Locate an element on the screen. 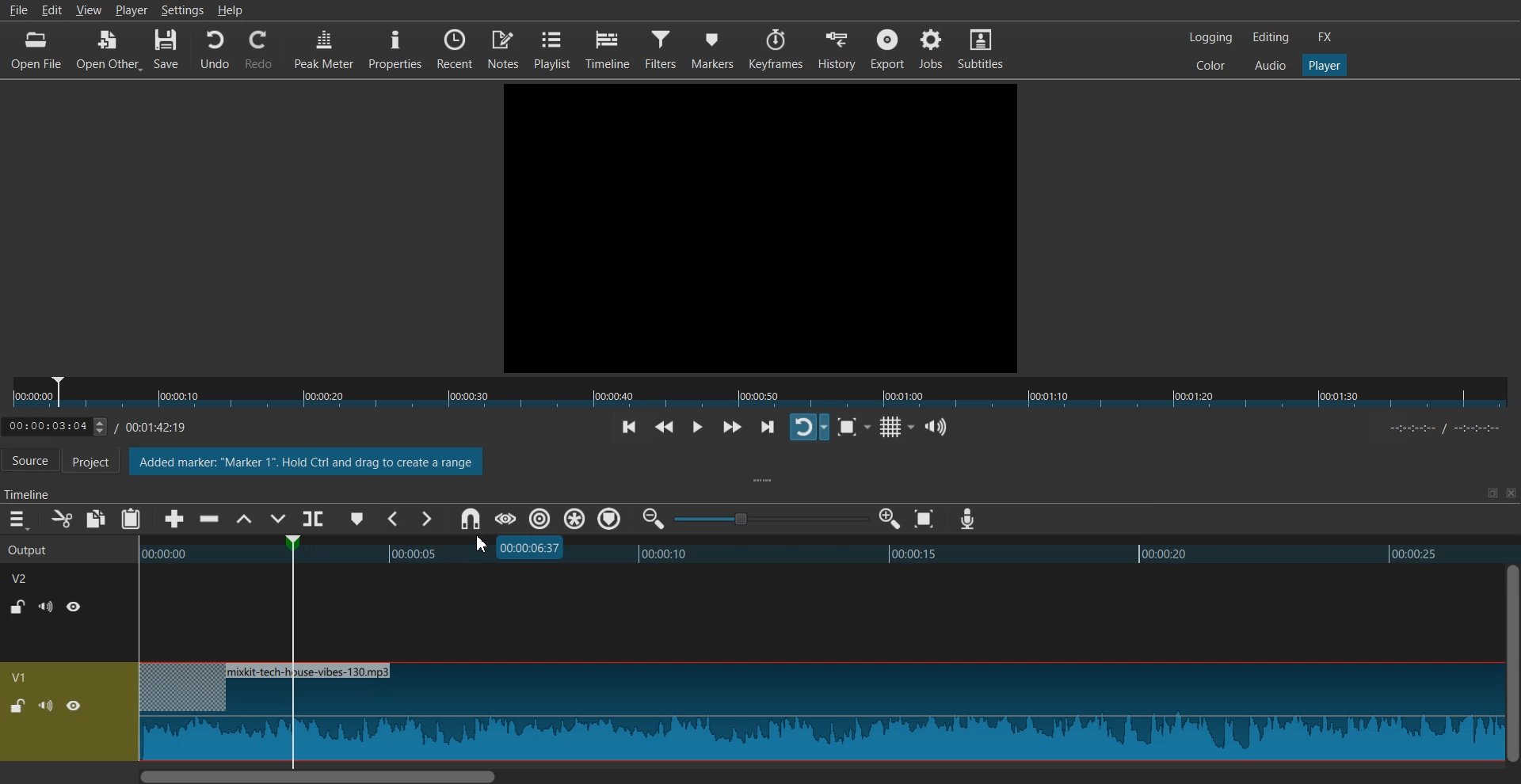 The width and height of the screenshot is (1521, 784). Timeline preview is located at coordinates (821, 551).